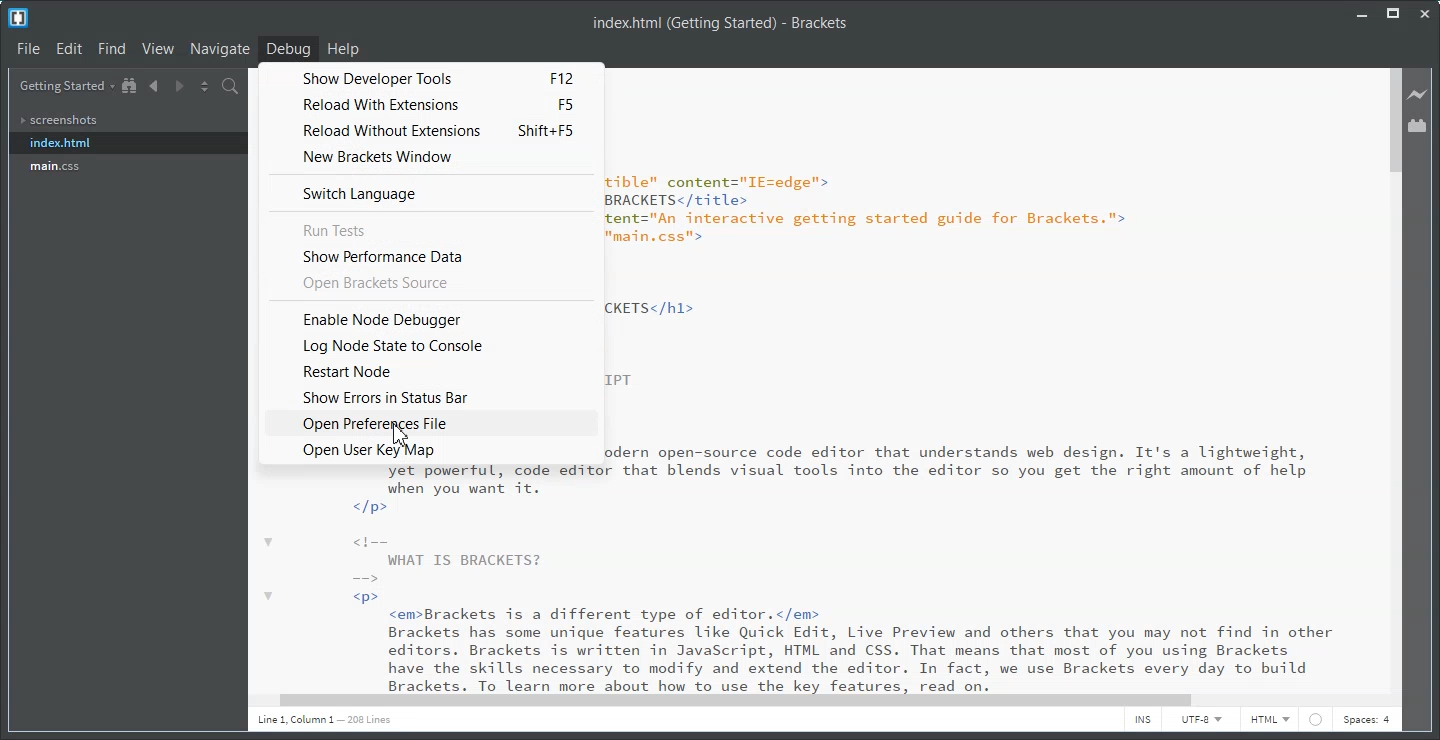 The image size is (1440, 740). What do you see at coordinates (288, 49) in the screenshot?
I see `Debug` at bounding box center [288, 49].